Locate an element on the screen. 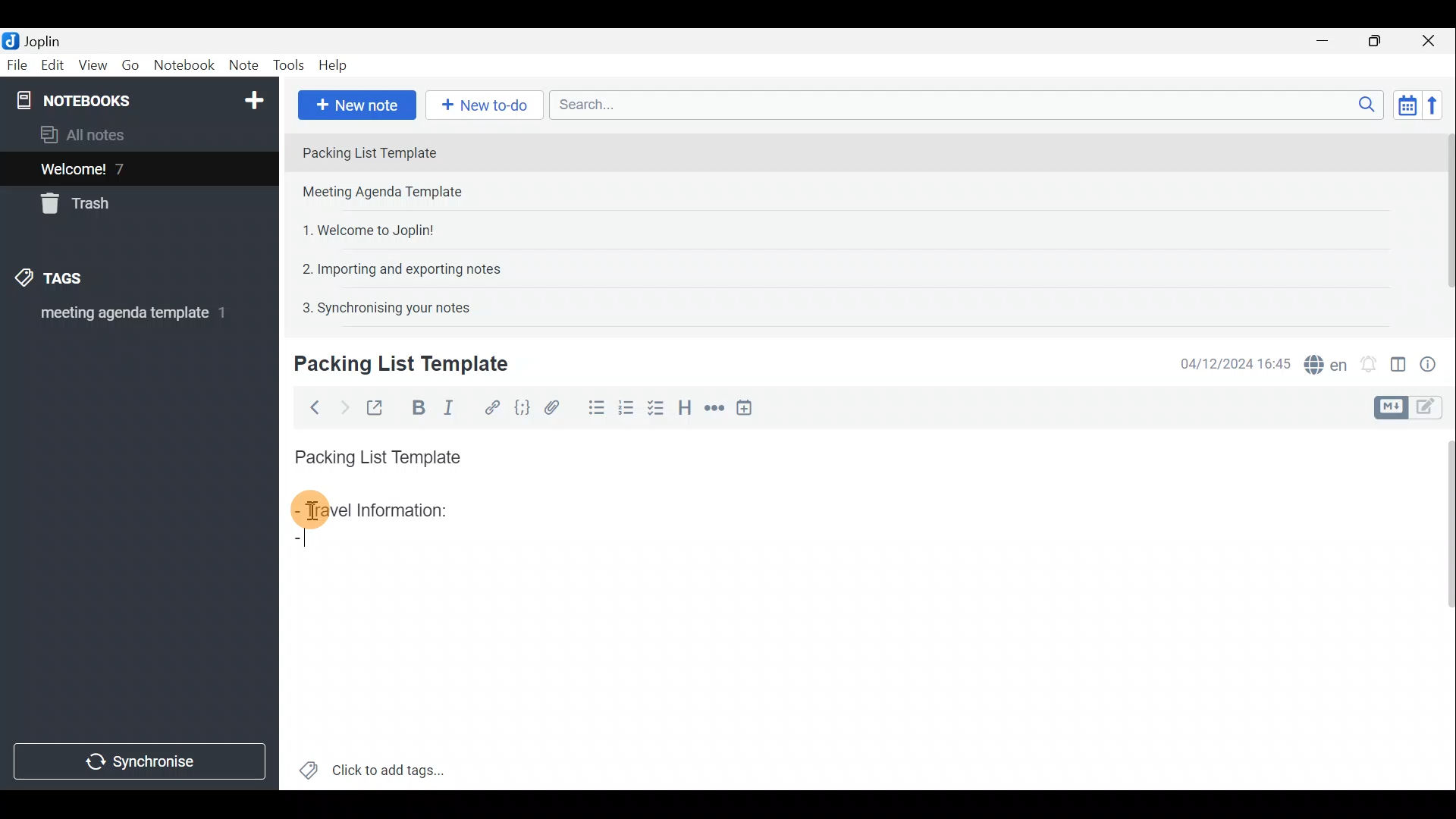 The image size is (1456, 819). Scroll bar is located at coordinates (1442, 607).